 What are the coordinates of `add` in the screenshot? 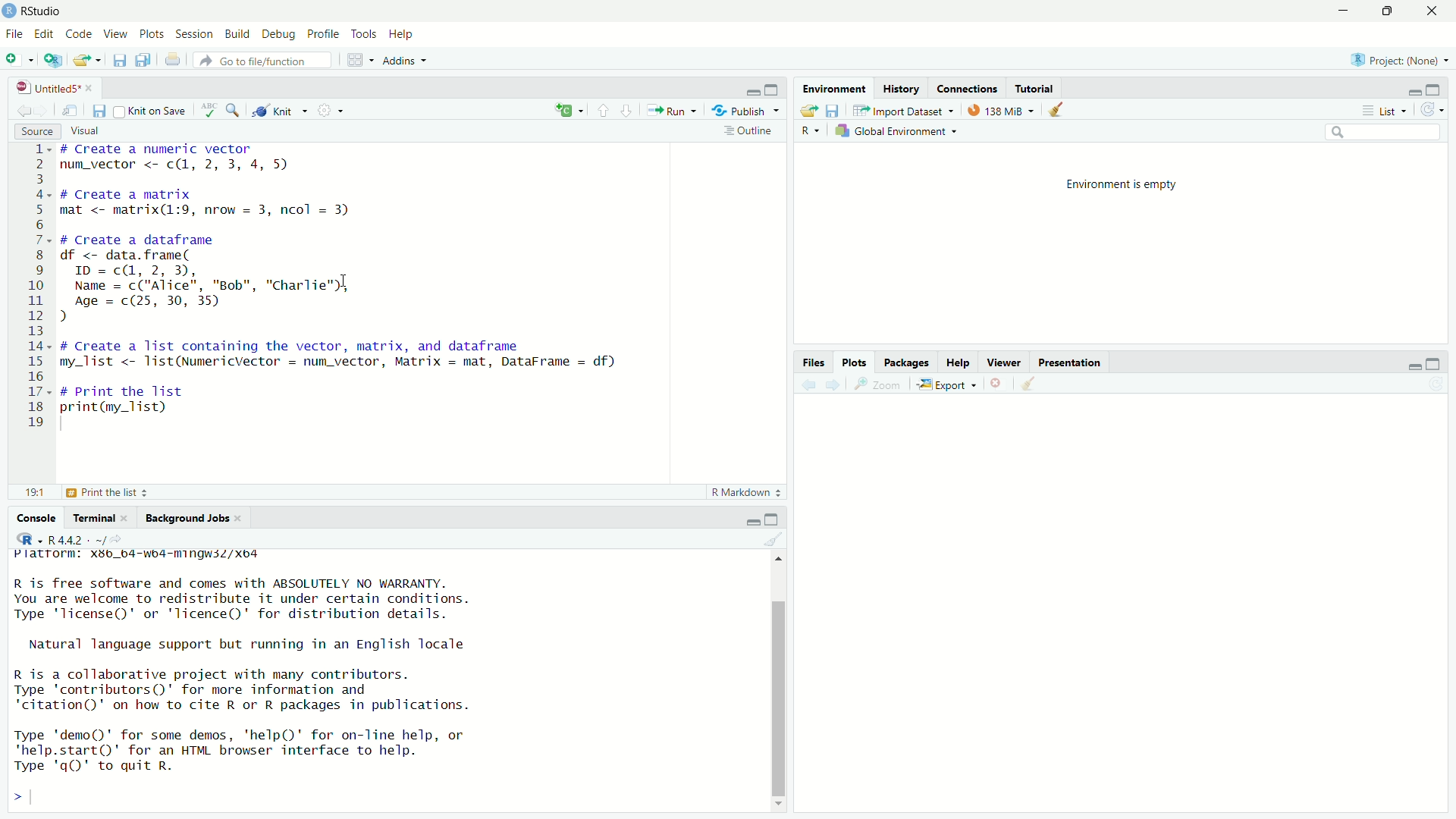 It's located at (568, 111).